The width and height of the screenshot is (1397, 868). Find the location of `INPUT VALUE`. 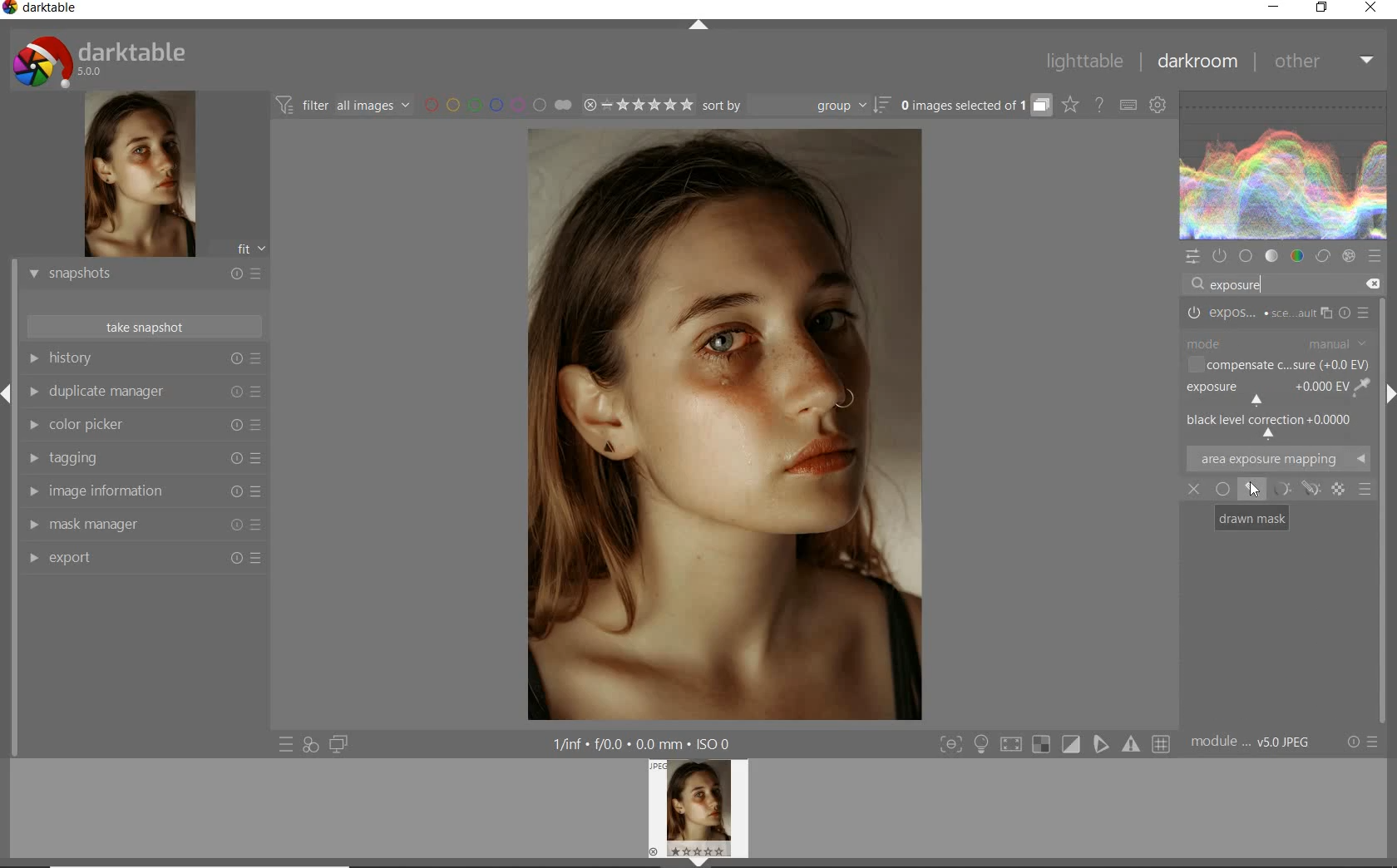

INPUT VALUE is located at coordinates (1244, 284).